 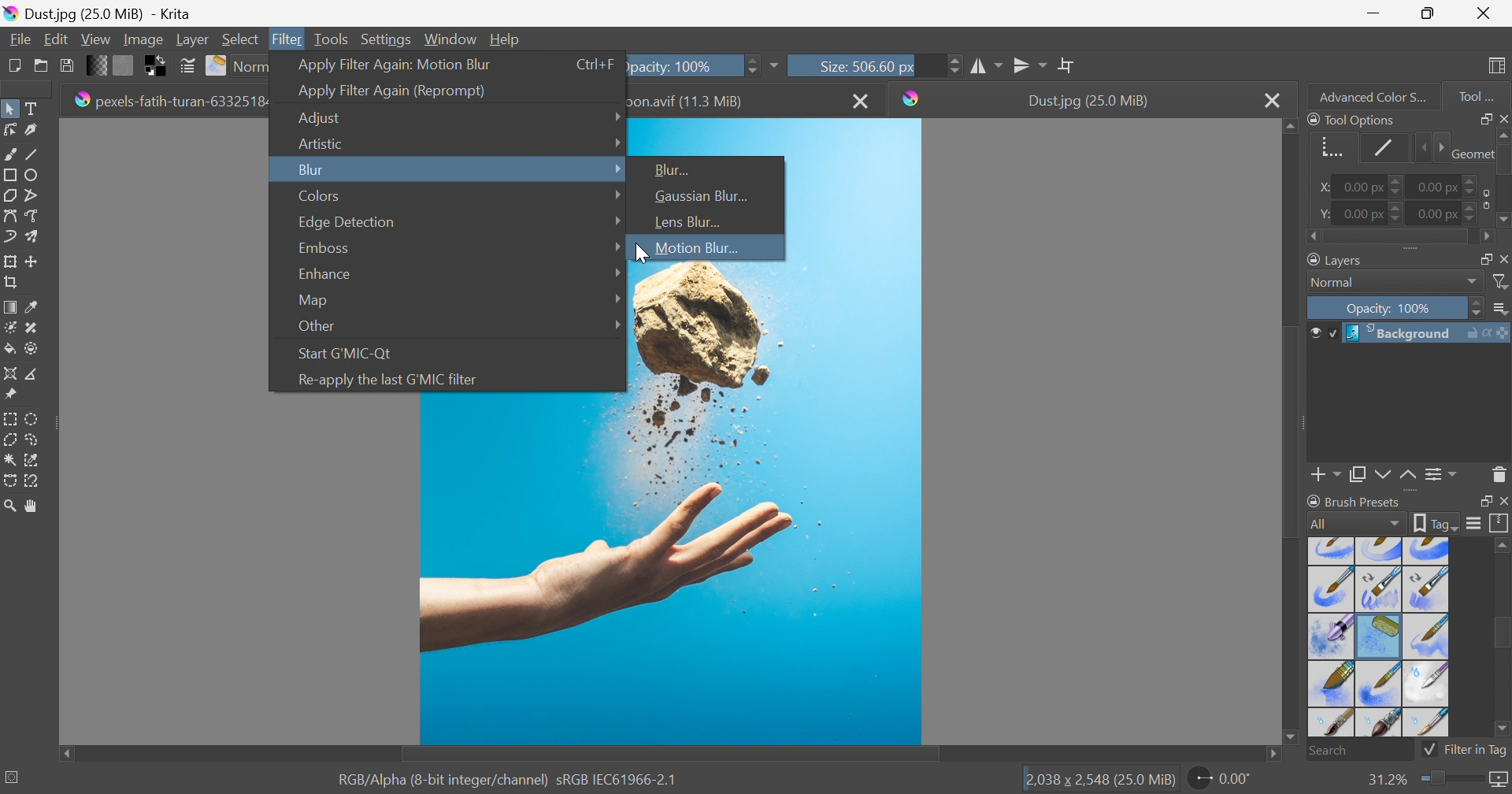 What do you see at coordinates (9, 129) in the screenshot?
I see `Edit shapes tool` at bounding box center [9, 129].